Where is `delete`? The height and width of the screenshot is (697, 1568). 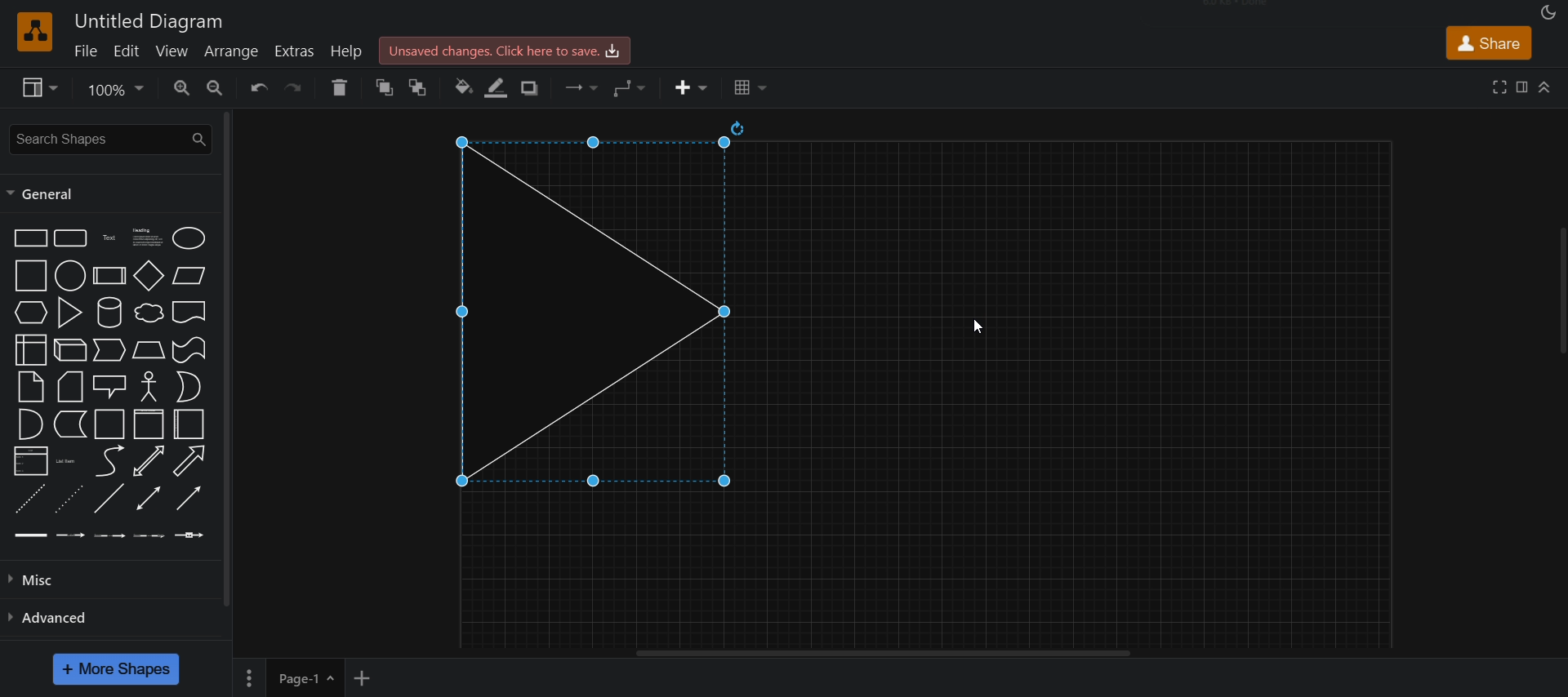
delete is located at coordinates (336, 85).